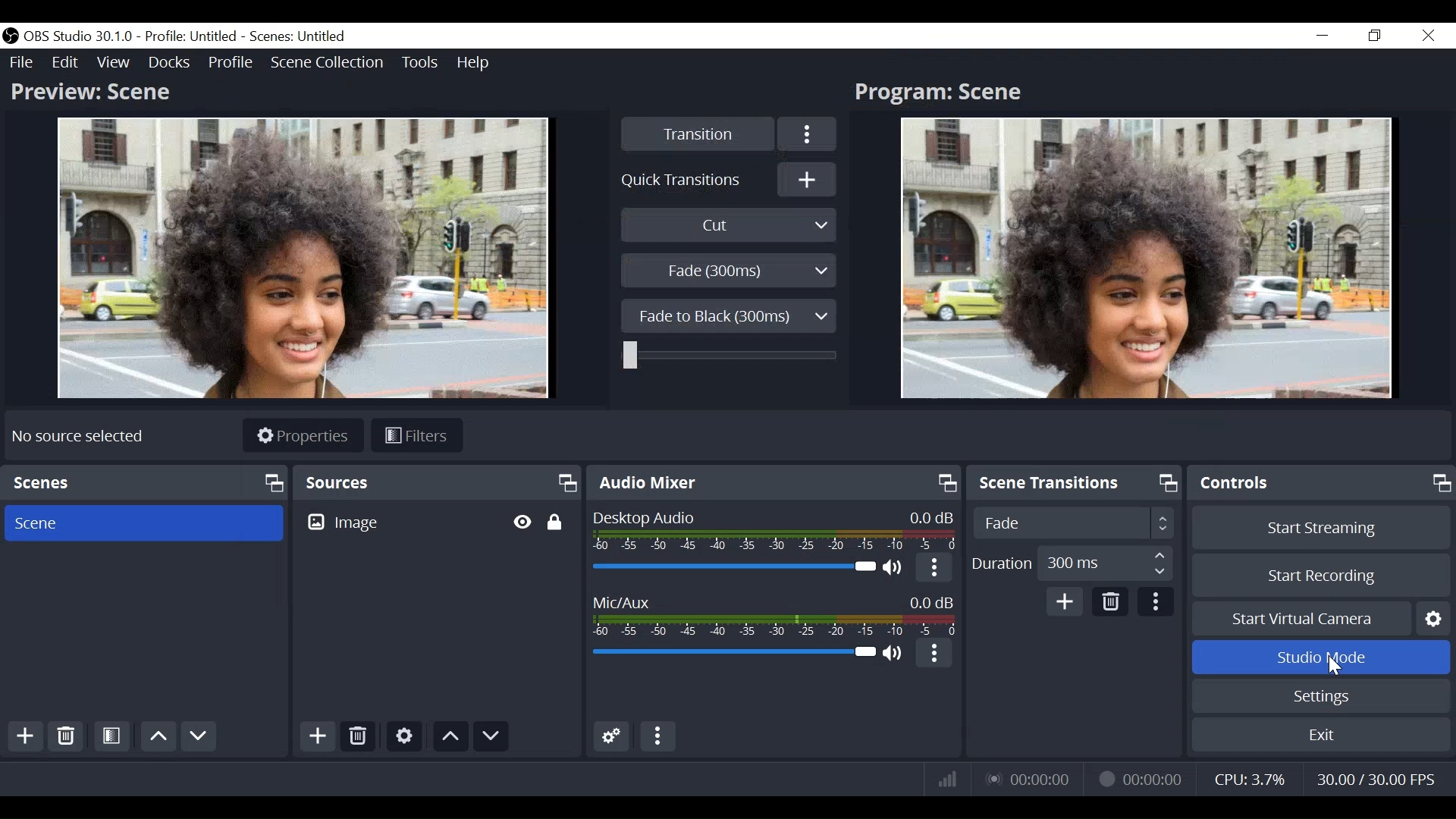 The width and height of the screenshot is (1456, 819). What do you see at coordinates (1375, 36) in the screenshot?
I see `Restore` at bounding box center [1375, 36].